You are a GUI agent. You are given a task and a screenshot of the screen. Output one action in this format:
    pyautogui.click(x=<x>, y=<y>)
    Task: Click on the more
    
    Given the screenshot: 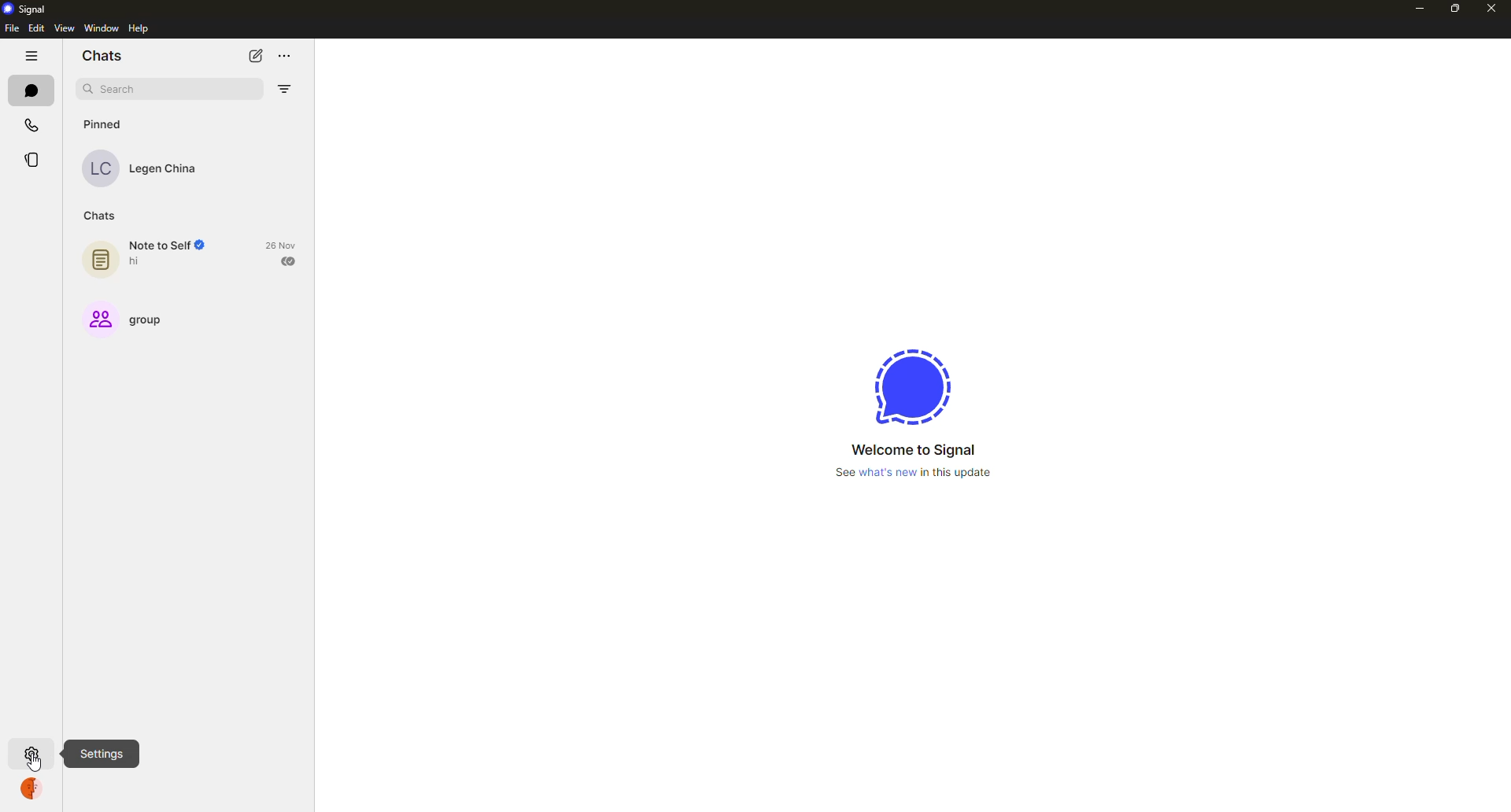 What is the action you would take?
    pyautogui.click(x=286, y=55)
    